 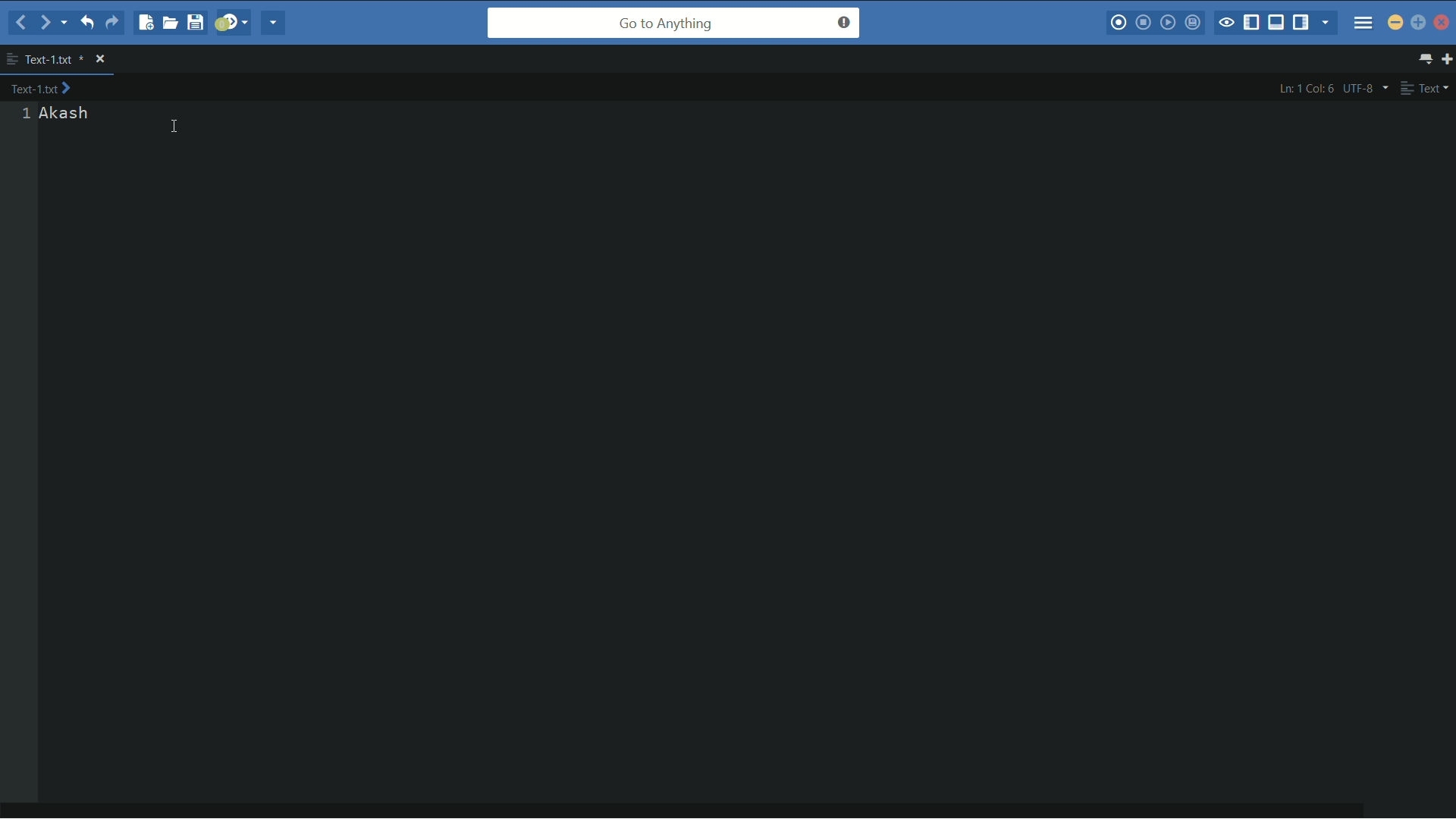 I want to click on save file, so click(x=195, y=22).